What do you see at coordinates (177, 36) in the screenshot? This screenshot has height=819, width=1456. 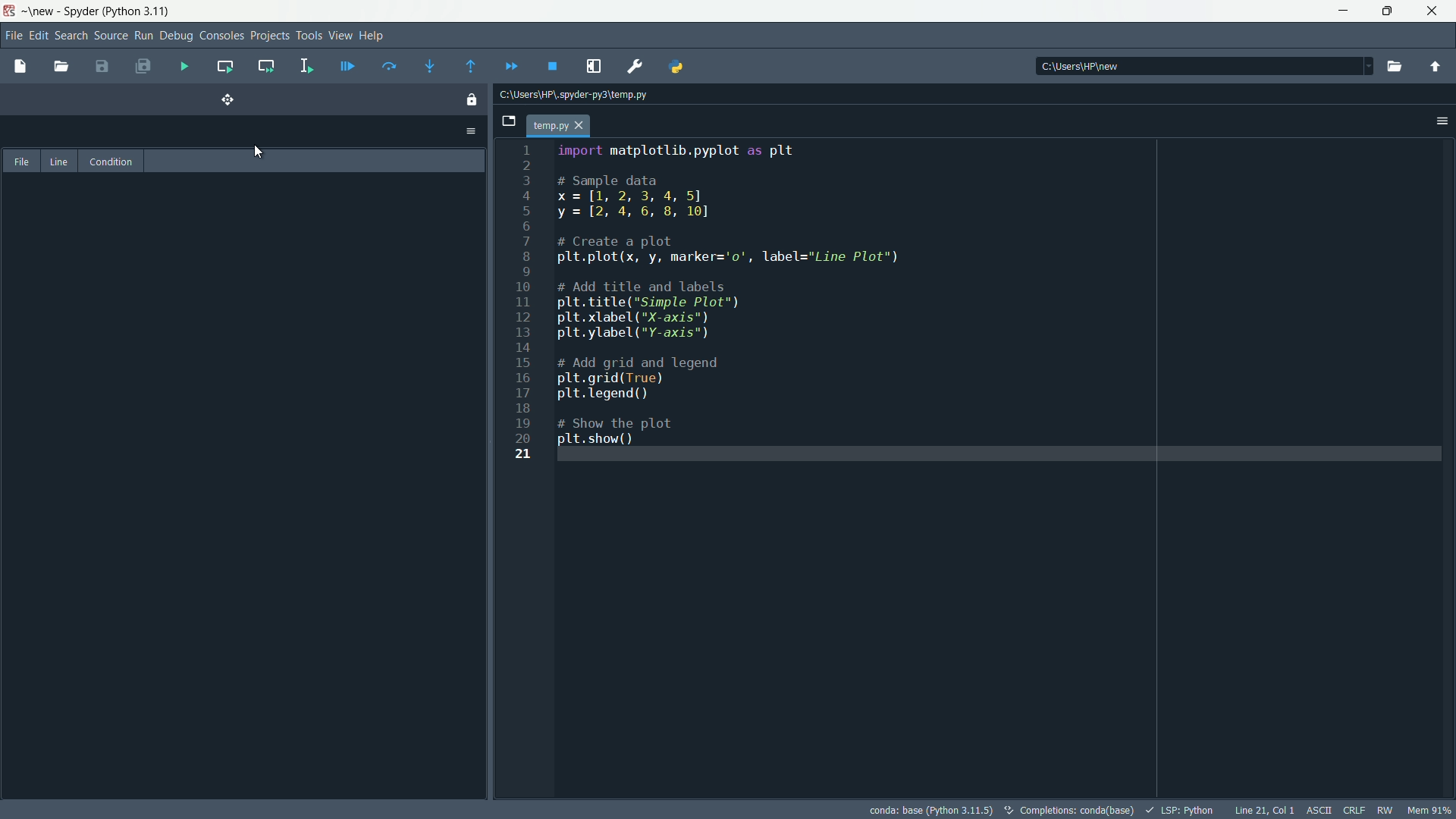 I see `debug menu` at bounding box center [177, 36].